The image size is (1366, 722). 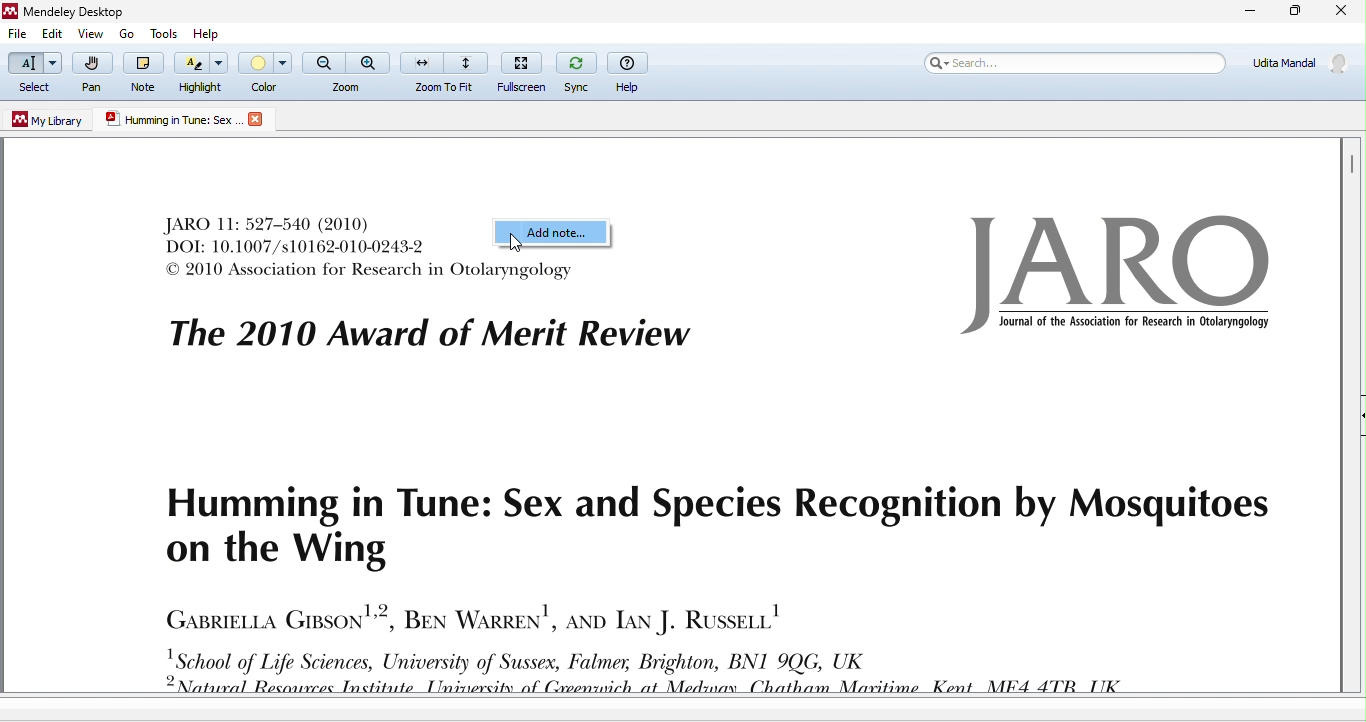 I want to click on search bar, so click(x=1076, y=65).